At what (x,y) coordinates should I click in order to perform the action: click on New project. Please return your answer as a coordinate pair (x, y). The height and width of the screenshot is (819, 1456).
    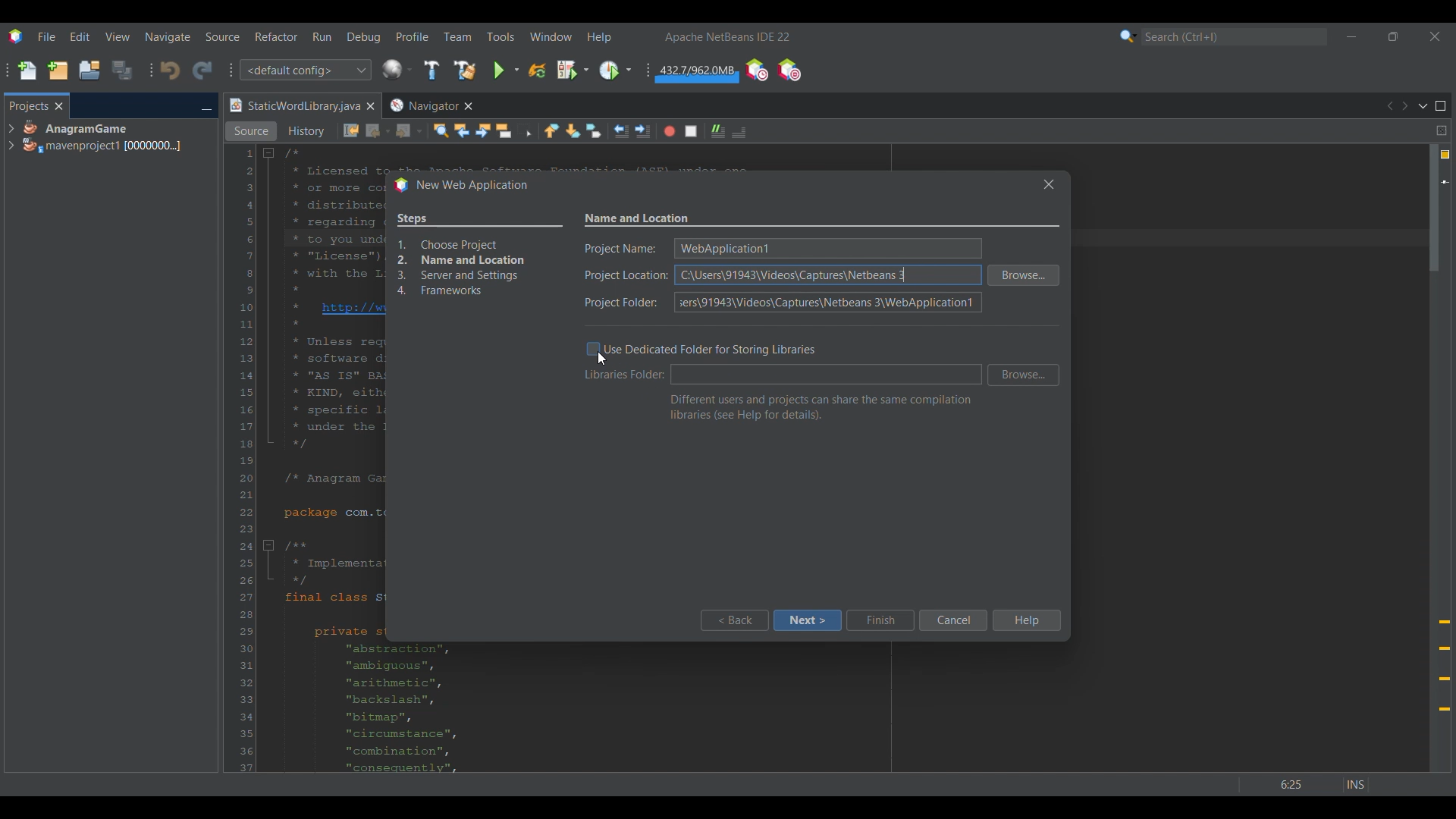
    Looking at the image, I should click on (58, 70).